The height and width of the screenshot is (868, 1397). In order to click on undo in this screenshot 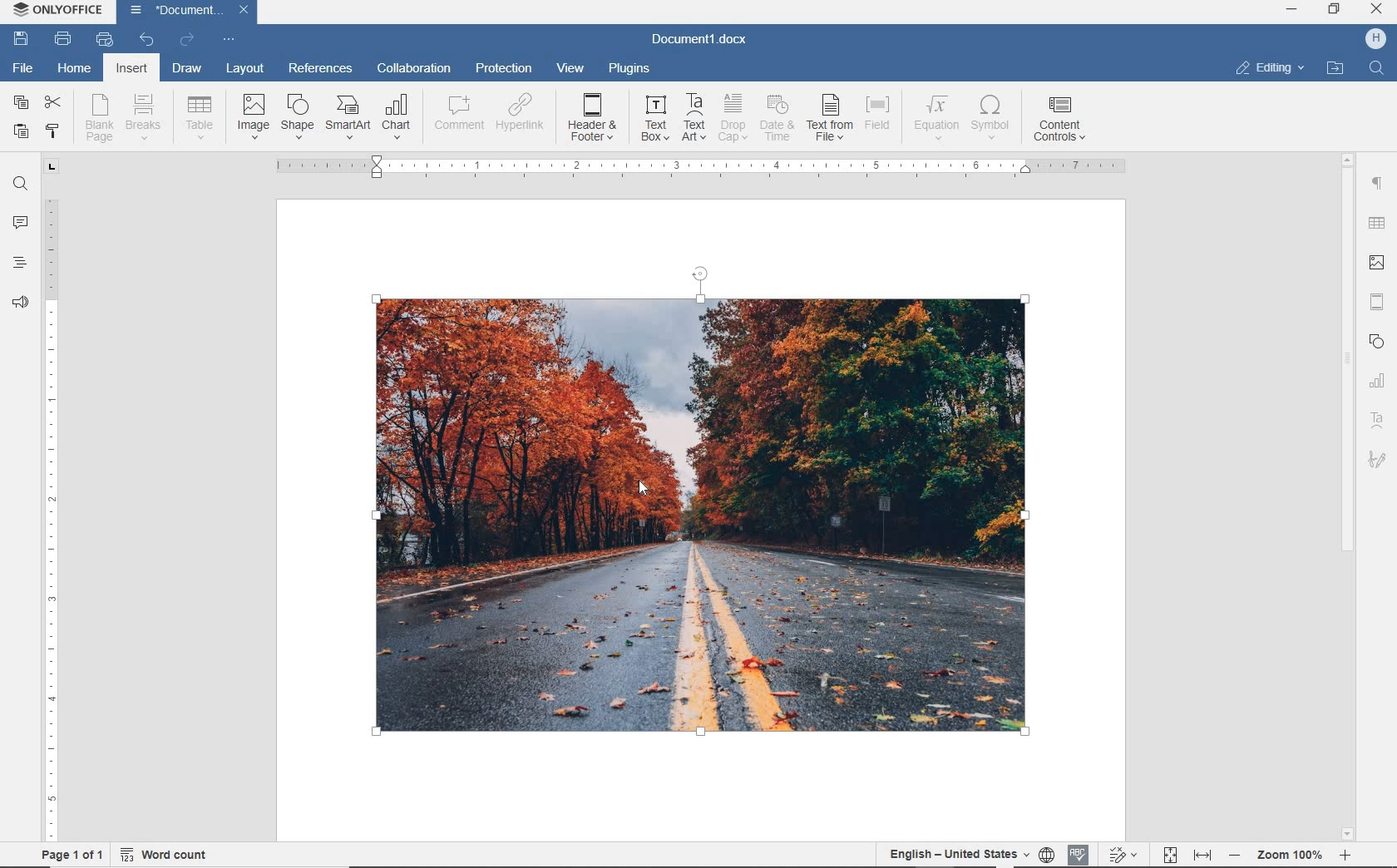, I will do `click(146, 40)`.